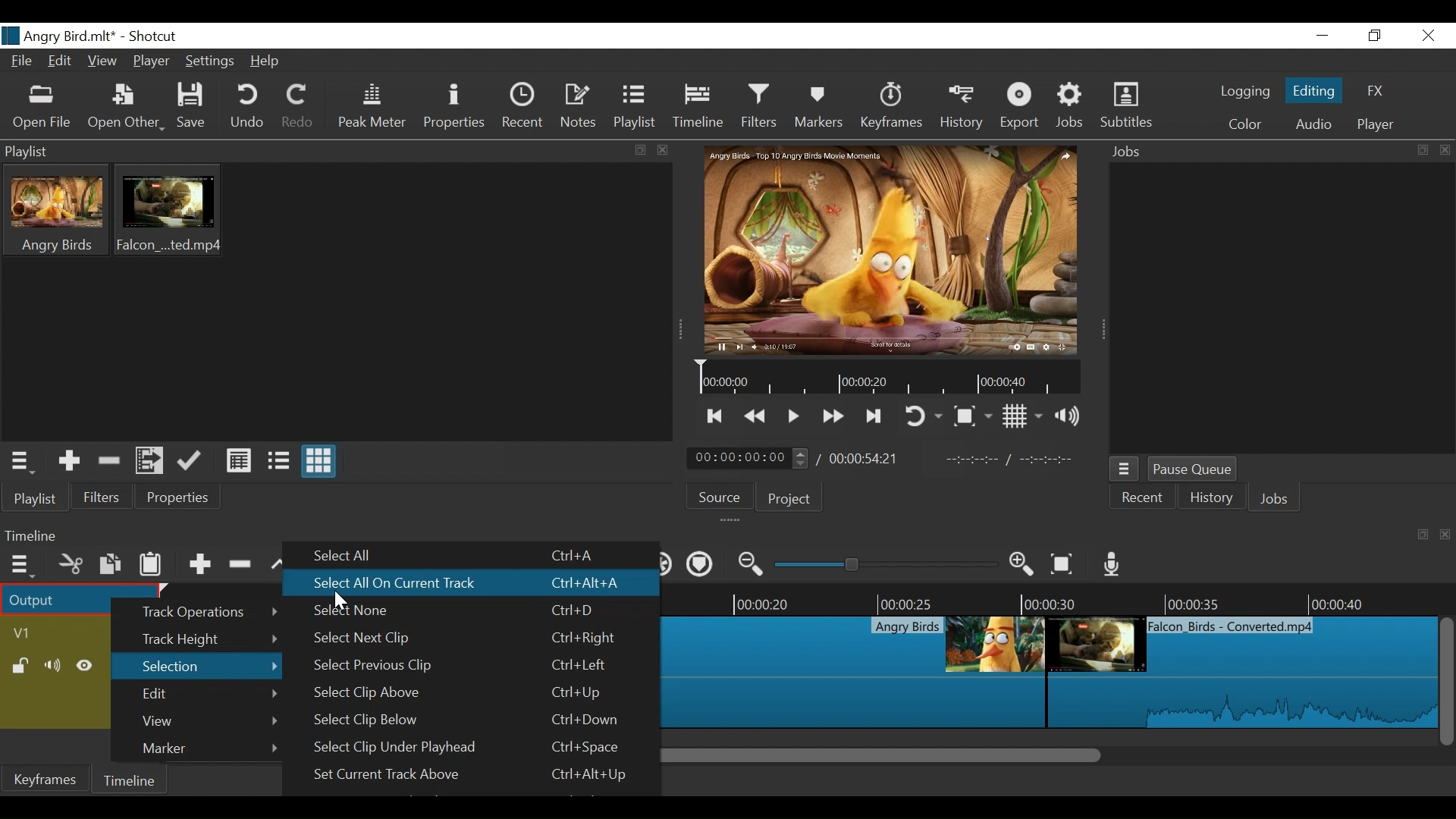 Image resolution: width=1456 pixels, height=819 pixels. Describe the element at coordinates (924, 417) in the screenshot. I see `Toggle player looping` at that location.